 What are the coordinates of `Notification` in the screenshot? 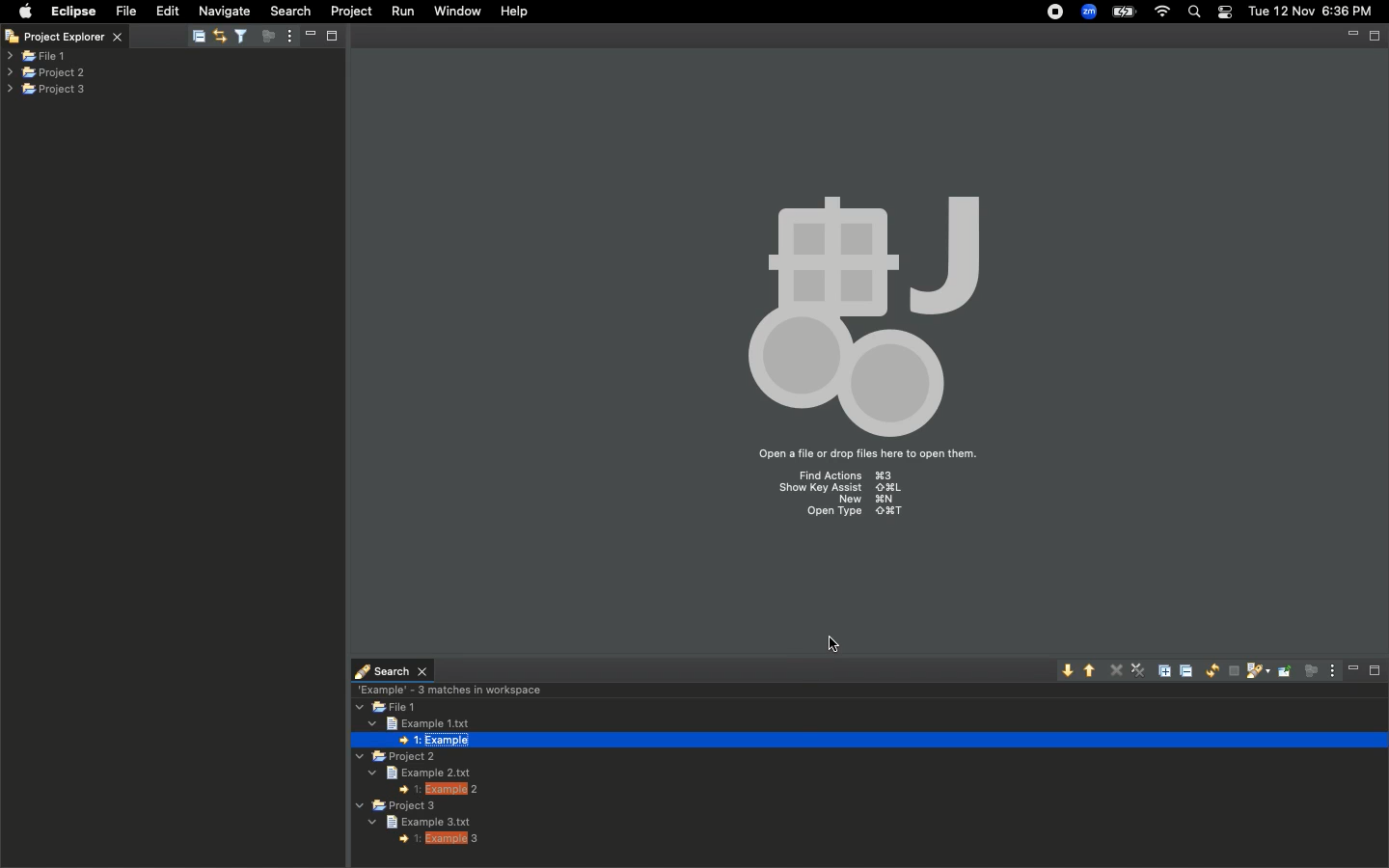 It's located at (1224, 13).